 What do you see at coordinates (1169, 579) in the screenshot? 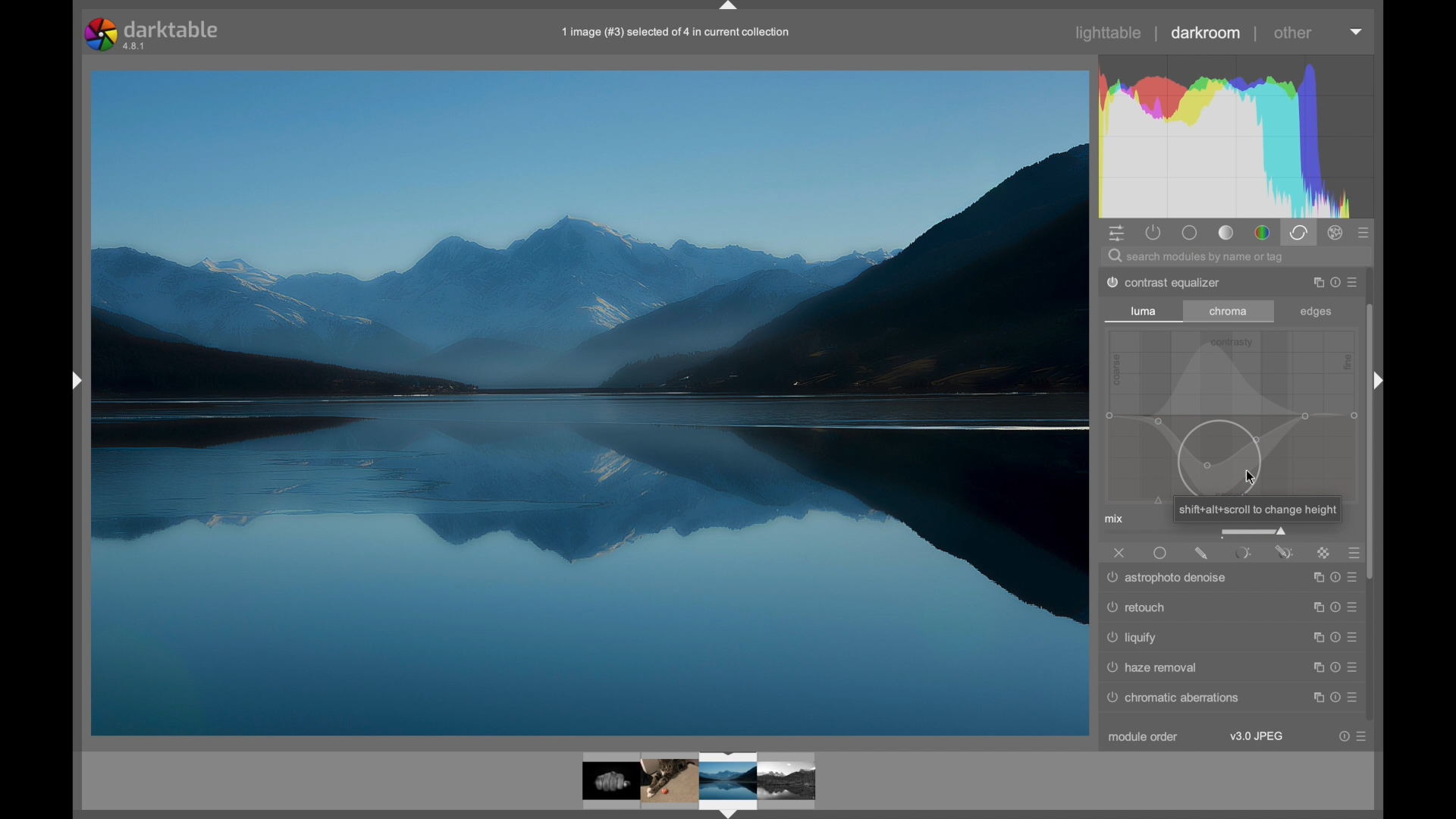
I see `astrophotographers Denise` at bounding box center [1169, 579].